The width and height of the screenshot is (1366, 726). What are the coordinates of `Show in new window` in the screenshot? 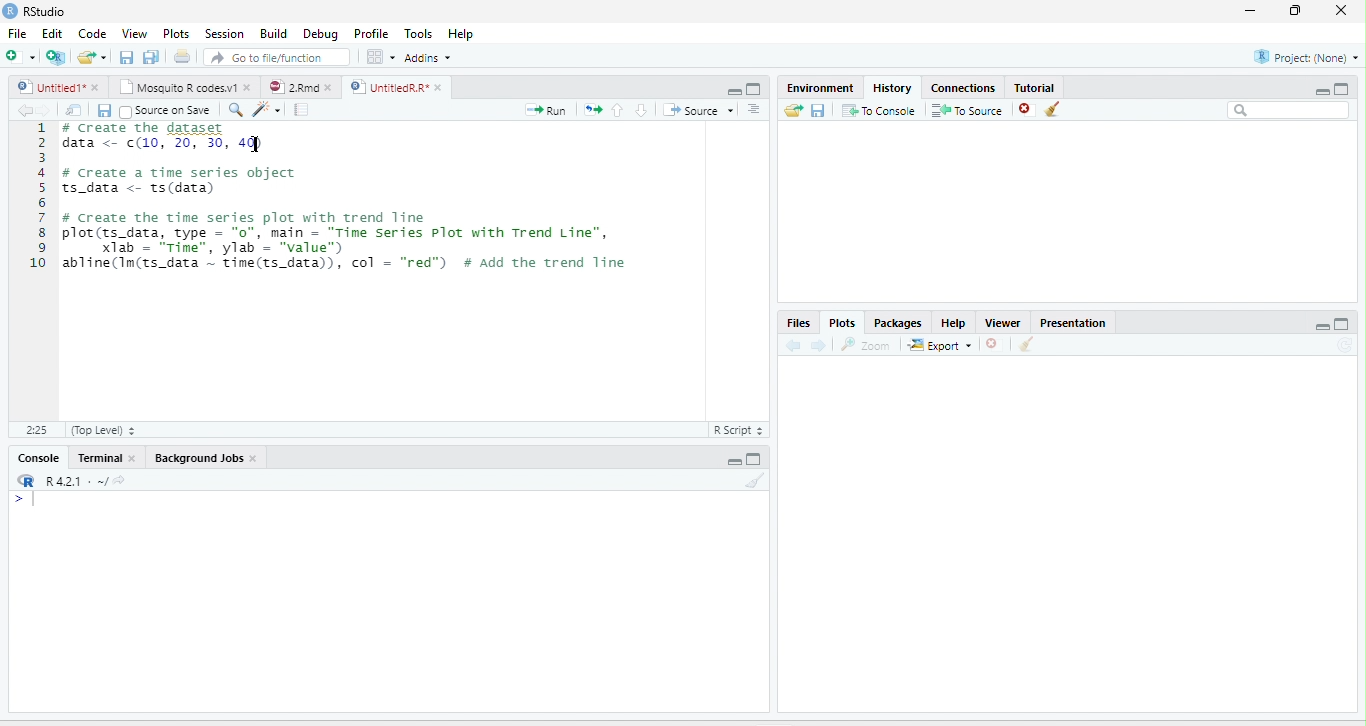 It's located at (74, 109).